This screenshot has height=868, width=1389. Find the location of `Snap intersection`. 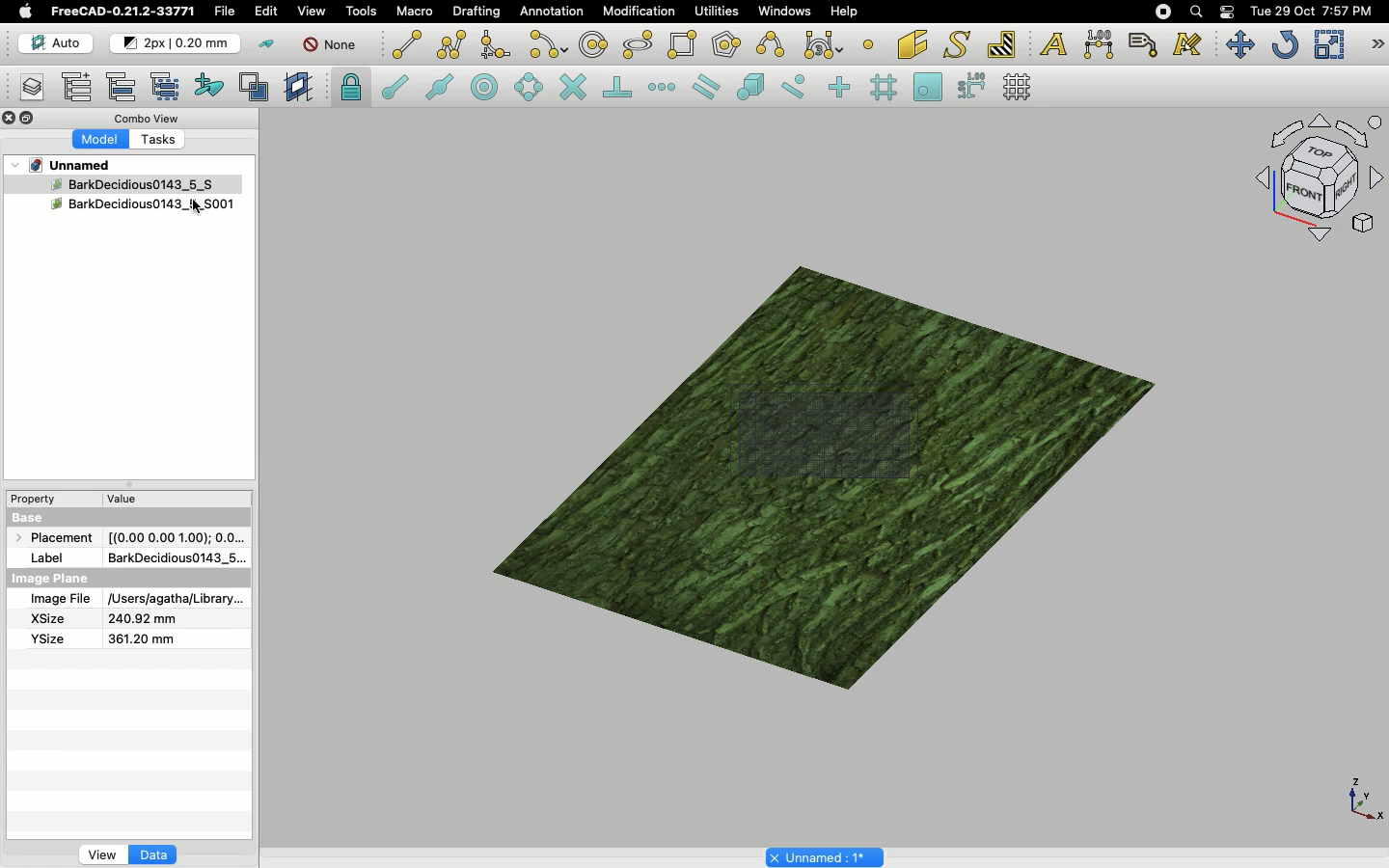

Snap intersection is located at coordinates (574, 89).